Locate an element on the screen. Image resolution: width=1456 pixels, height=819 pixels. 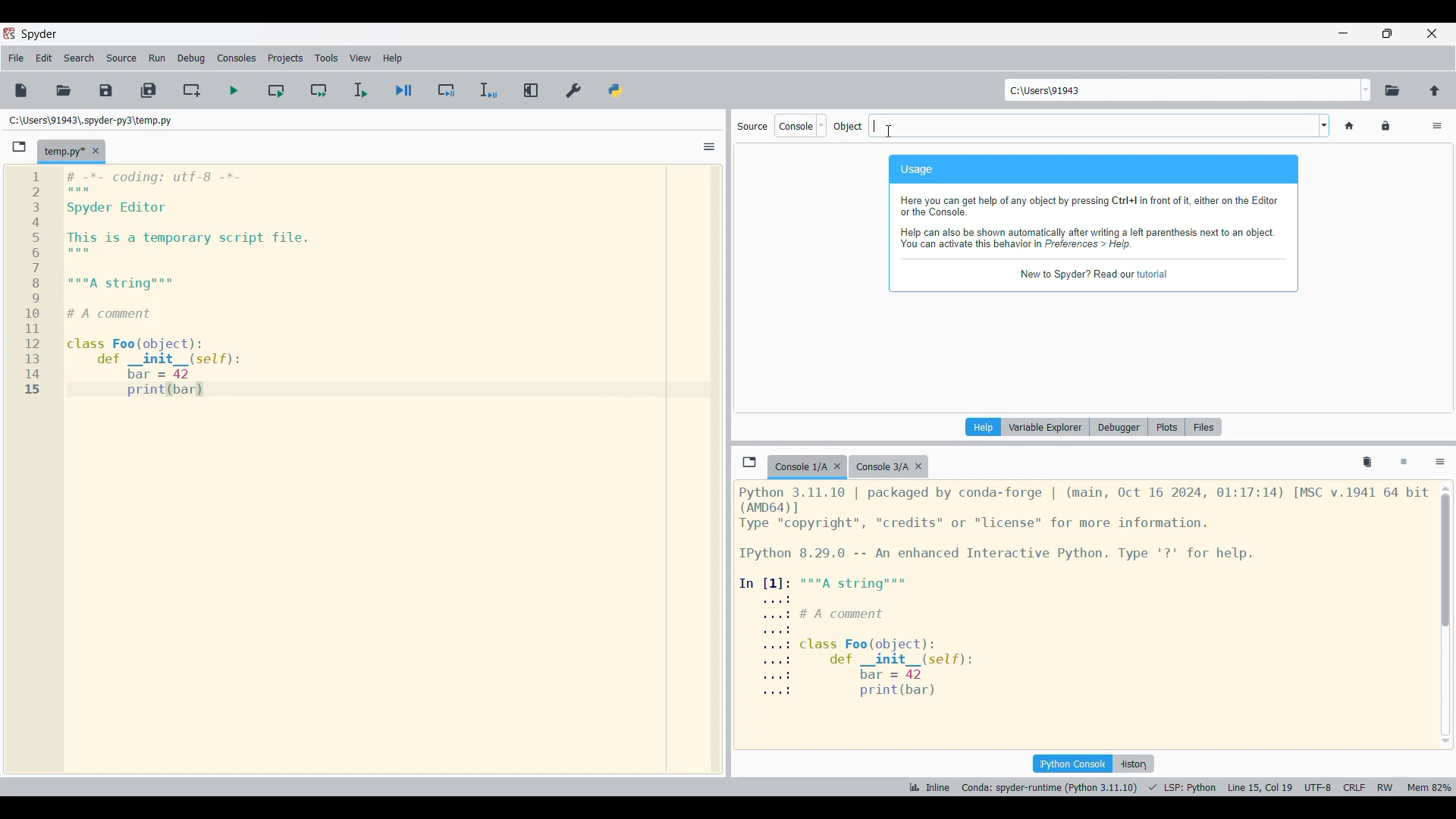
Debug menu is located at coordinates (191, 58).